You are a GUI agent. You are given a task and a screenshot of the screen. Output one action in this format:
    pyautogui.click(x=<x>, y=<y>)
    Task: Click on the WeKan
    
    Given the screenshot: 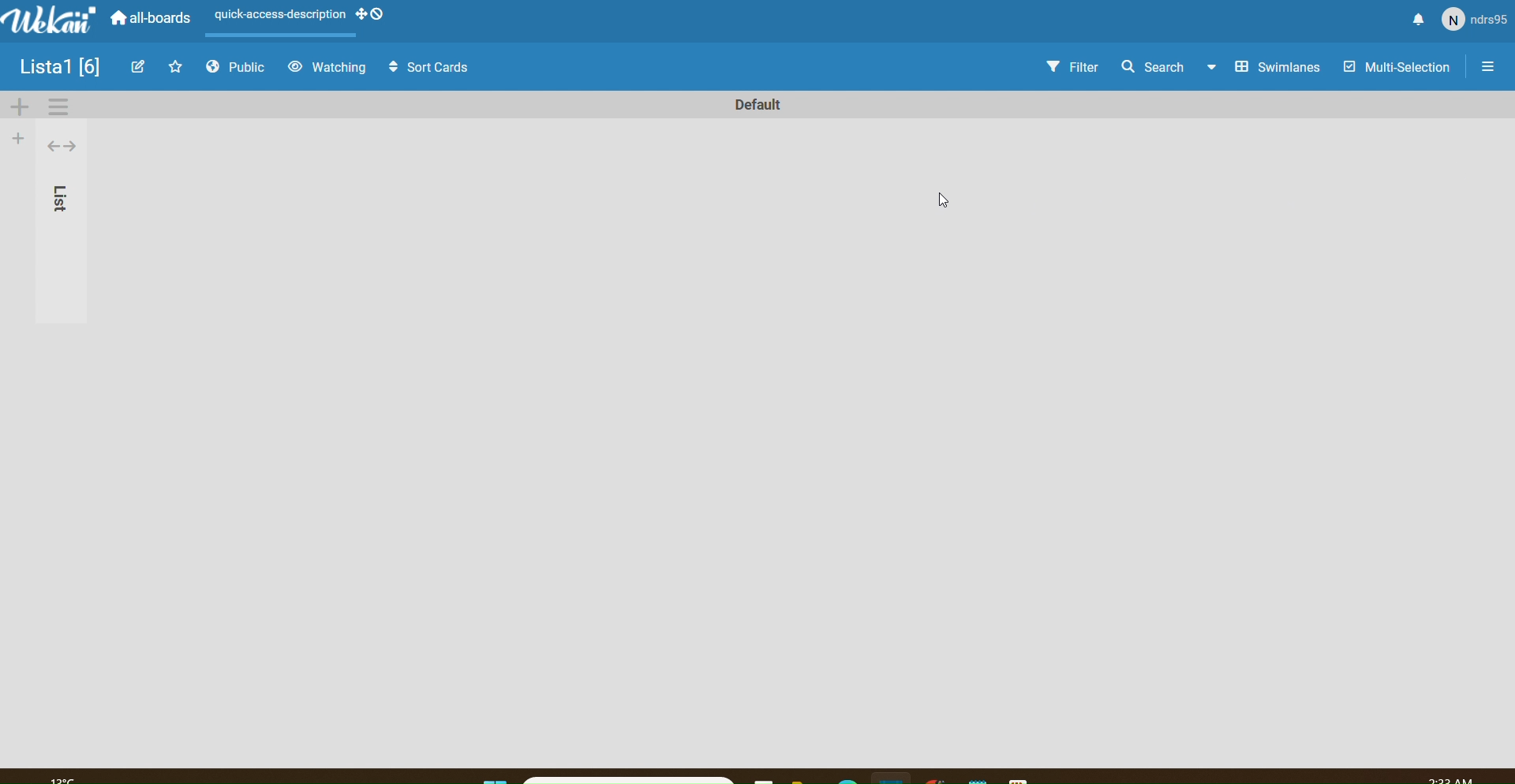 What is the action you would take?
    pyautogui.click(x=50, y=21)
    